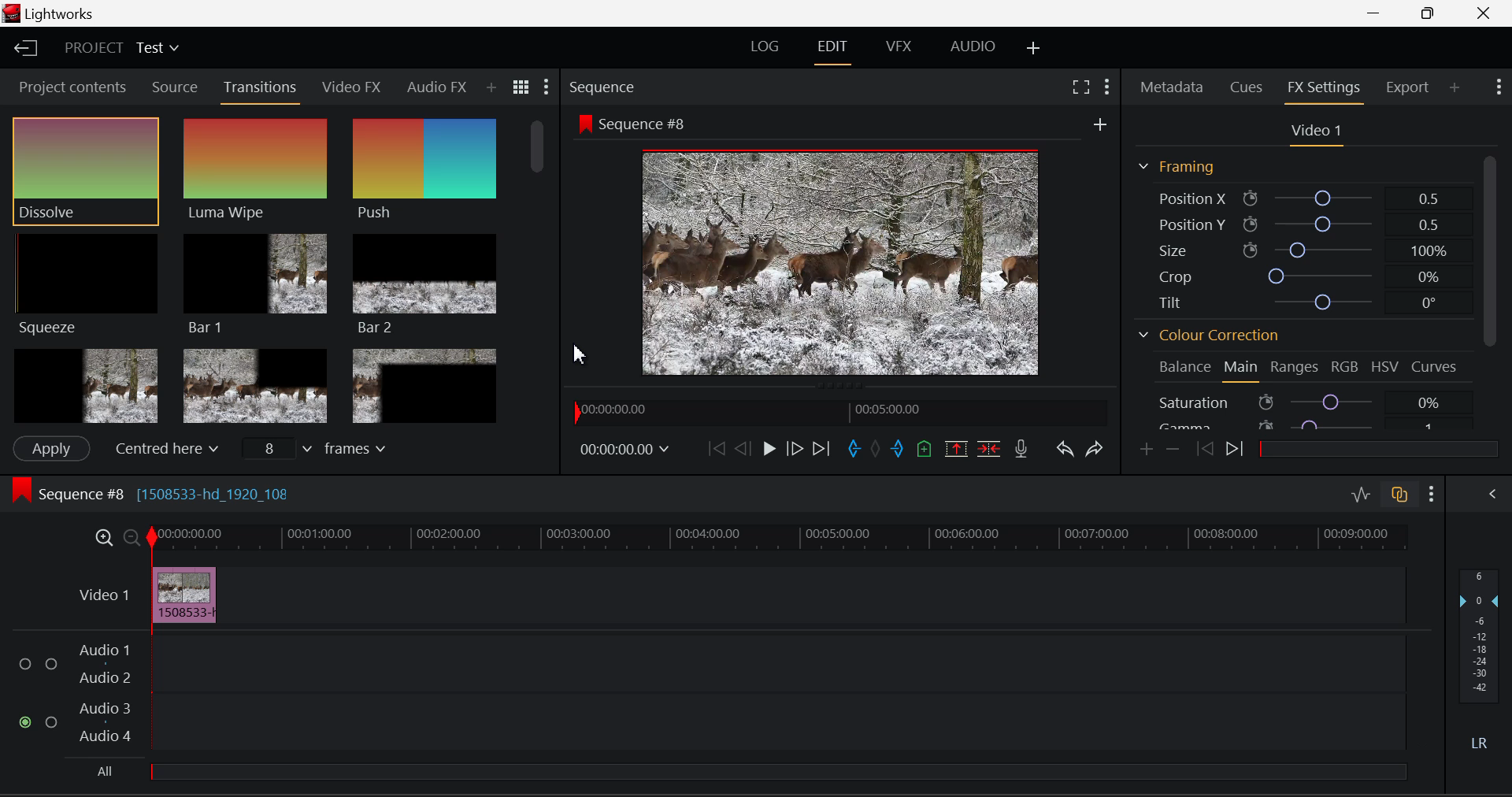  Describe the element at coordinates (1485, 13) in the screenshot. I see `Close` at that location.